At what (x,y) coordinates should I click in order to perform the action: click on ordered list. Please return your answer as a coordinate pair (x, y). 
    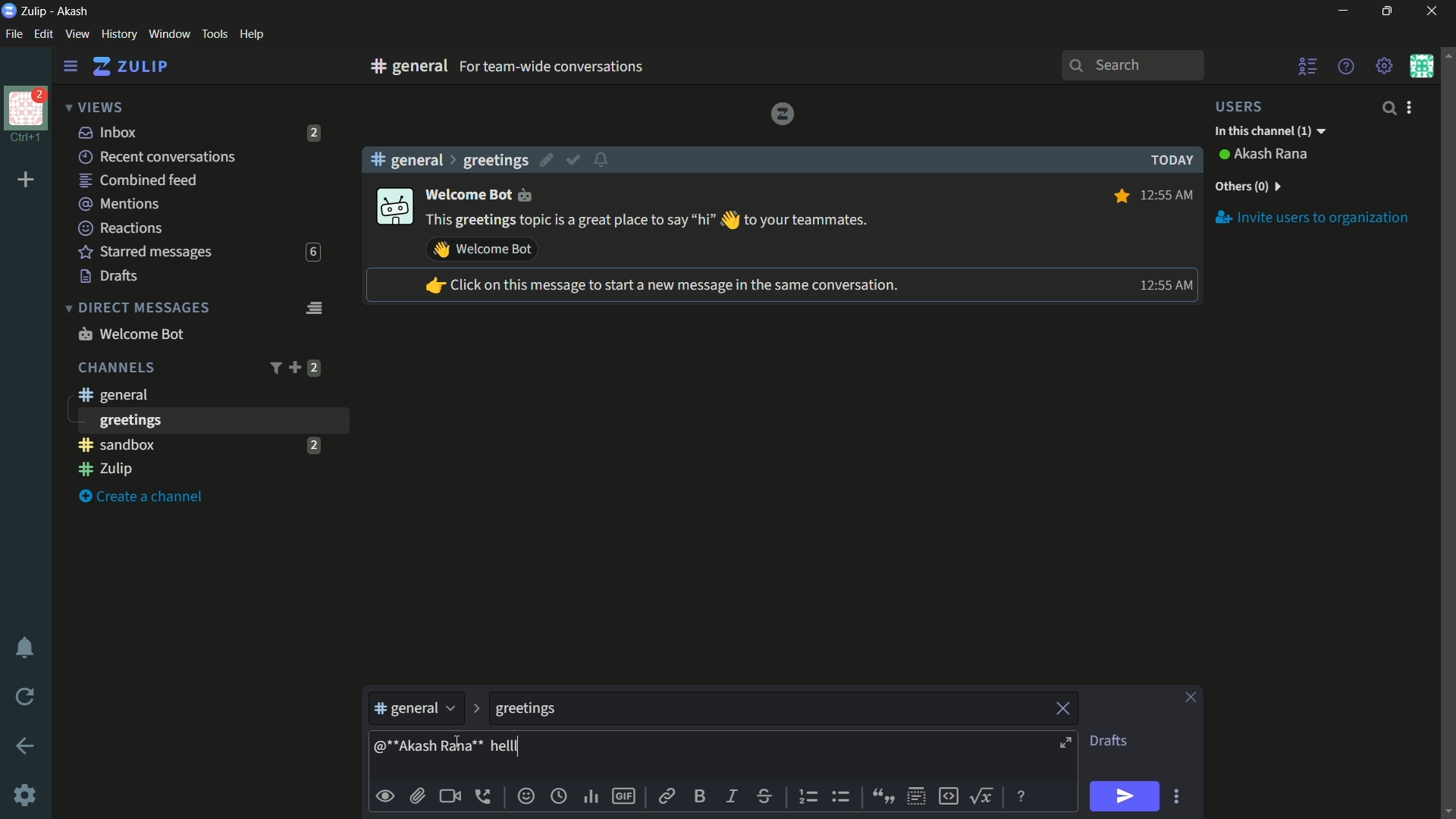
    Looking at the image, I should click on (811, 797).